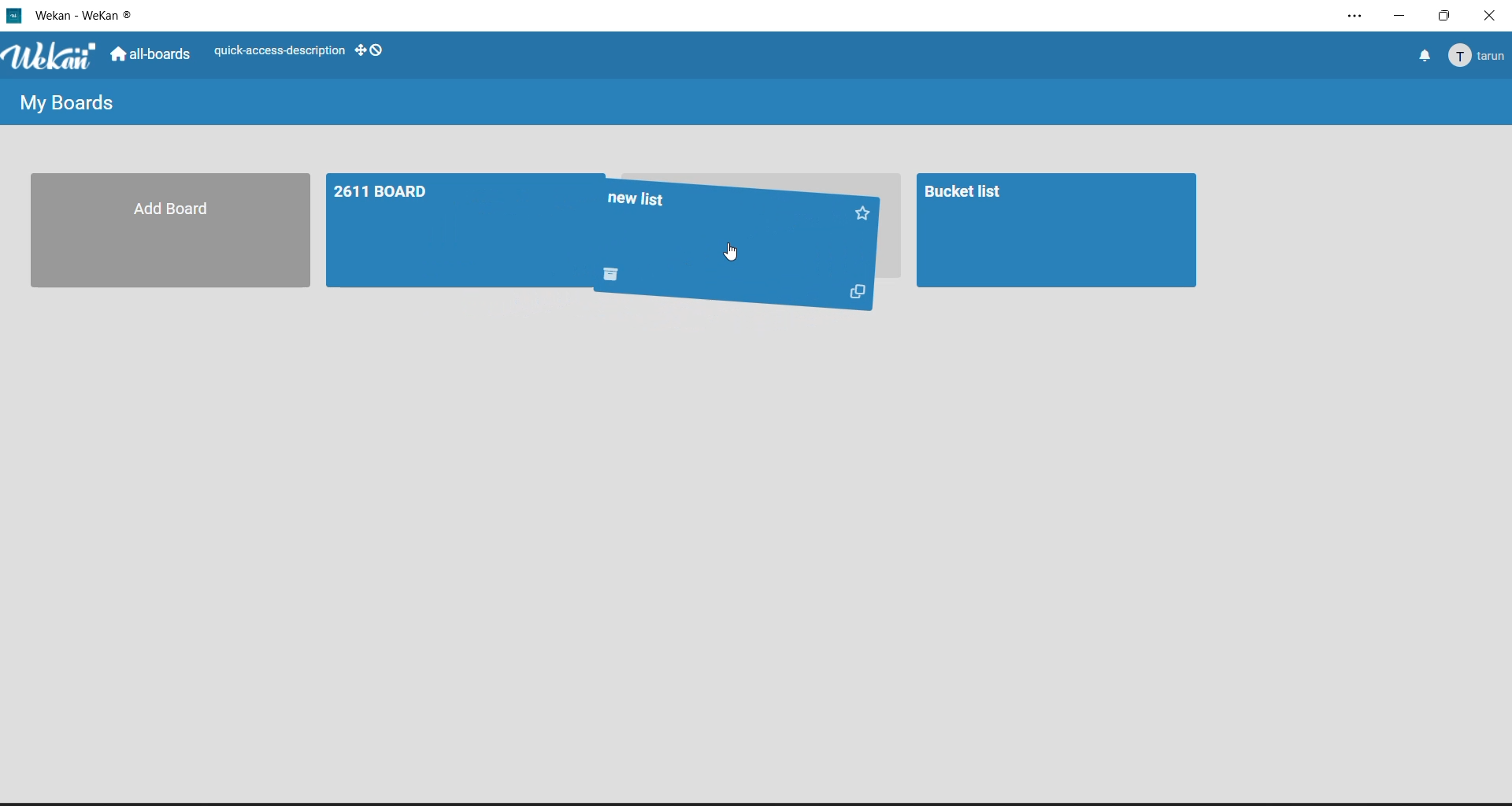 The width and height of the screenshot is (1512, 806). I want to click on quick access description, so click(279, 54).